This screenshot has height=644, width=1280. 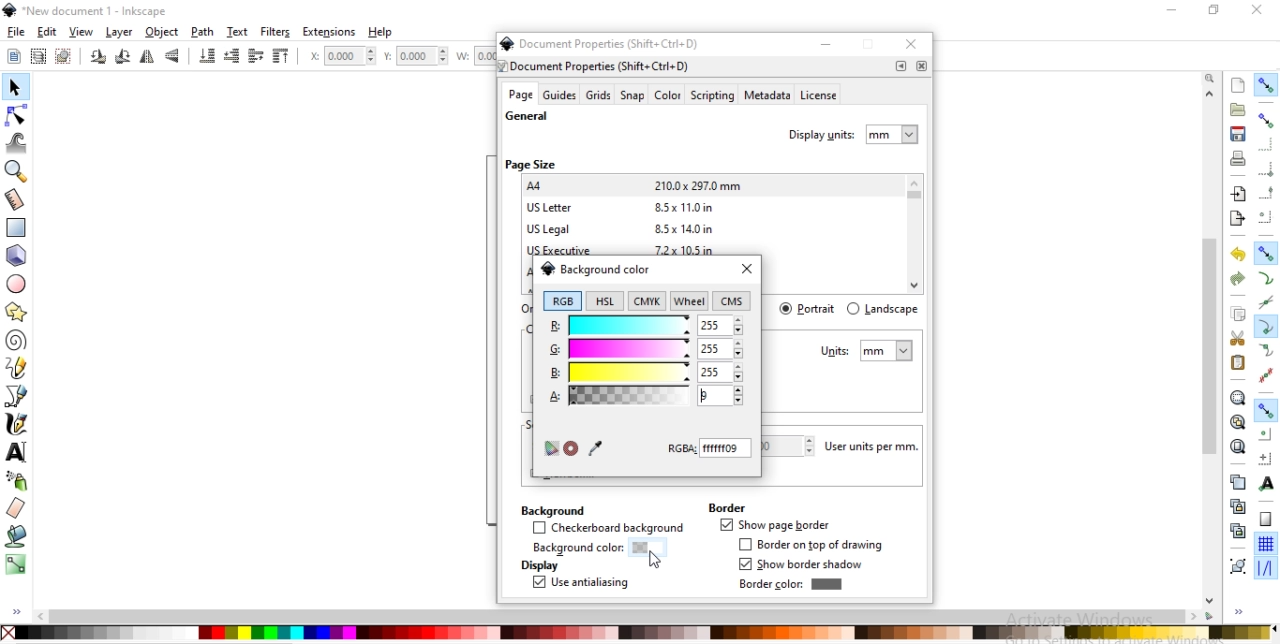 I want to click on snap to paths, so click(x=1265, y=279).